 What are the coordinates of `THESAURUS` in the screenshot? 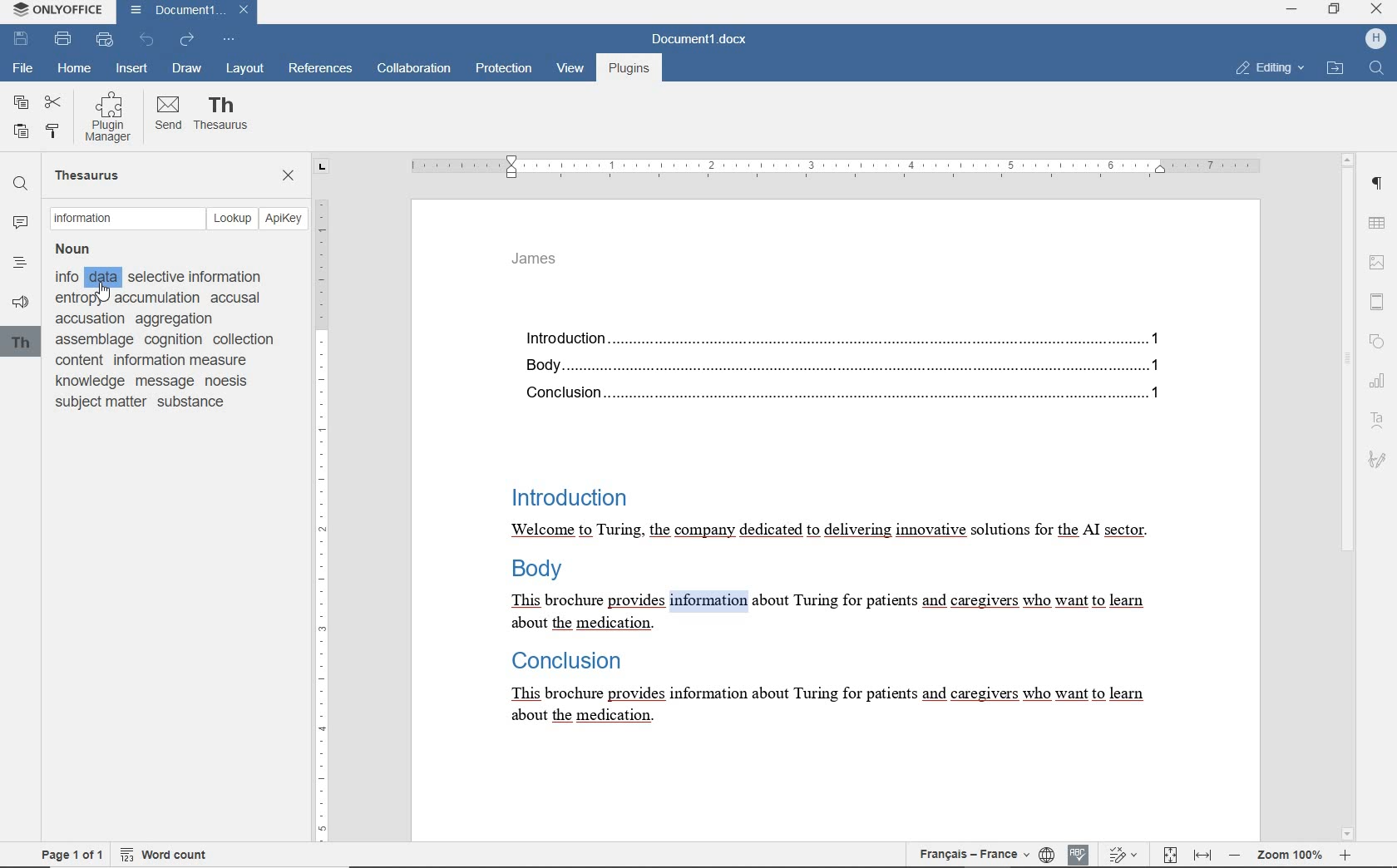 It's located at (222, 117).